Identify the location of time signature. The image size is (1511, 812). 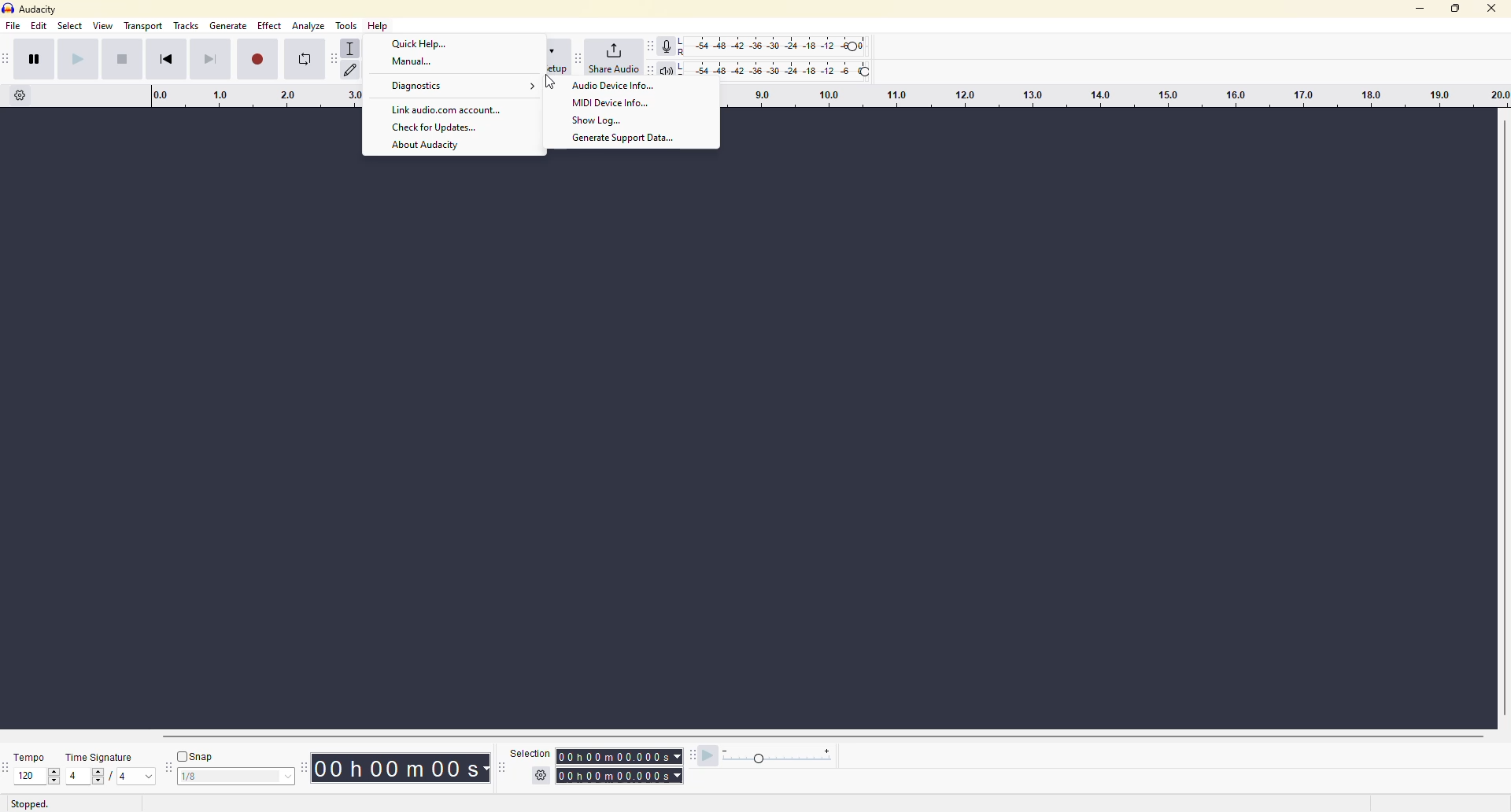
(101, 754).